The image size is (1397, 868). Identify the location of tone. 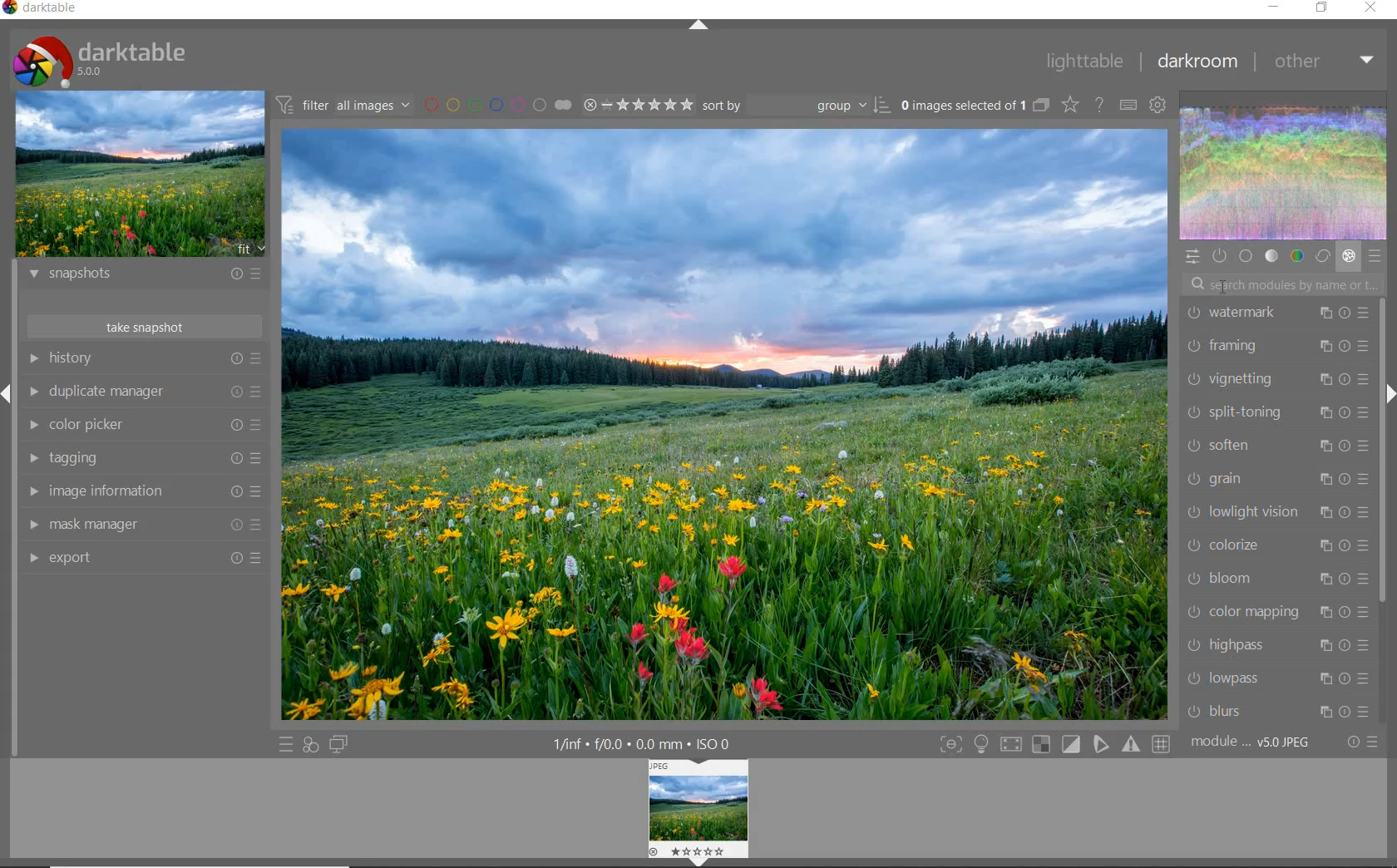
(1272, 257).